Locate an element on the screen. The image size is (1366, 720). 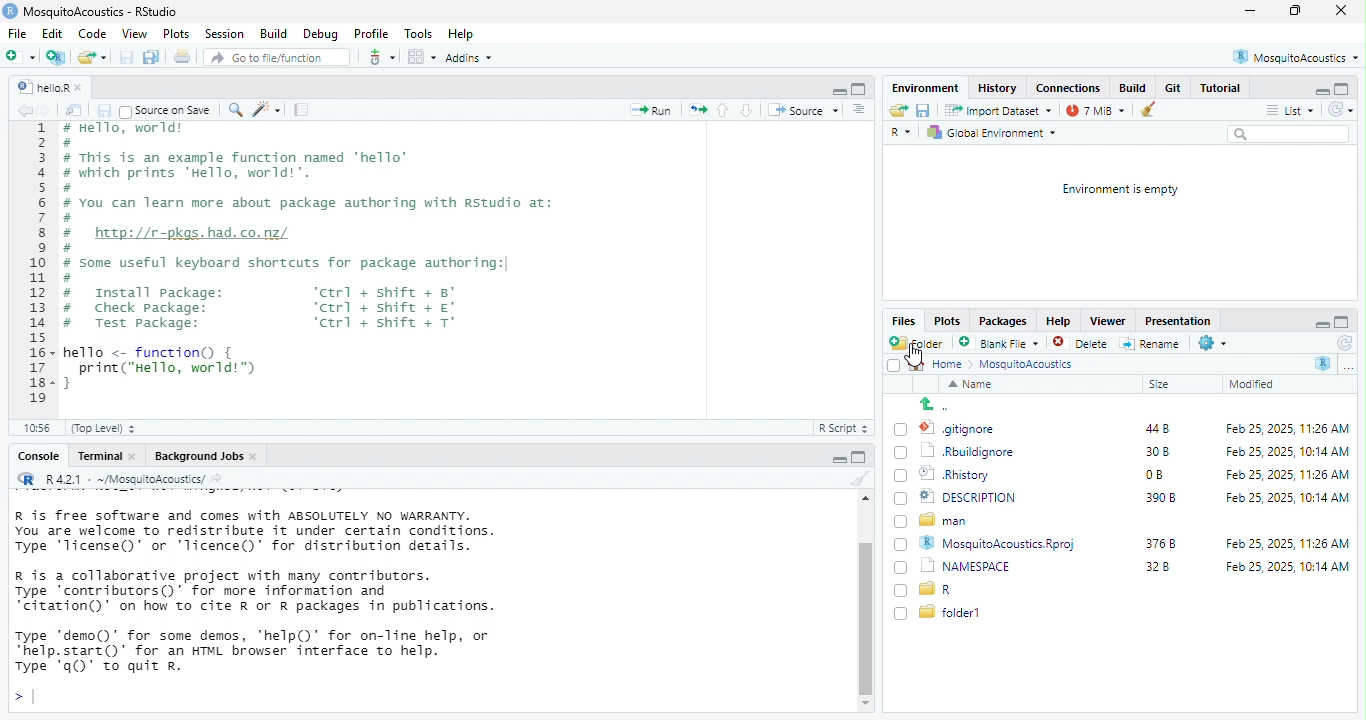
 NAMESPACE is located at coordinates (976, 566).